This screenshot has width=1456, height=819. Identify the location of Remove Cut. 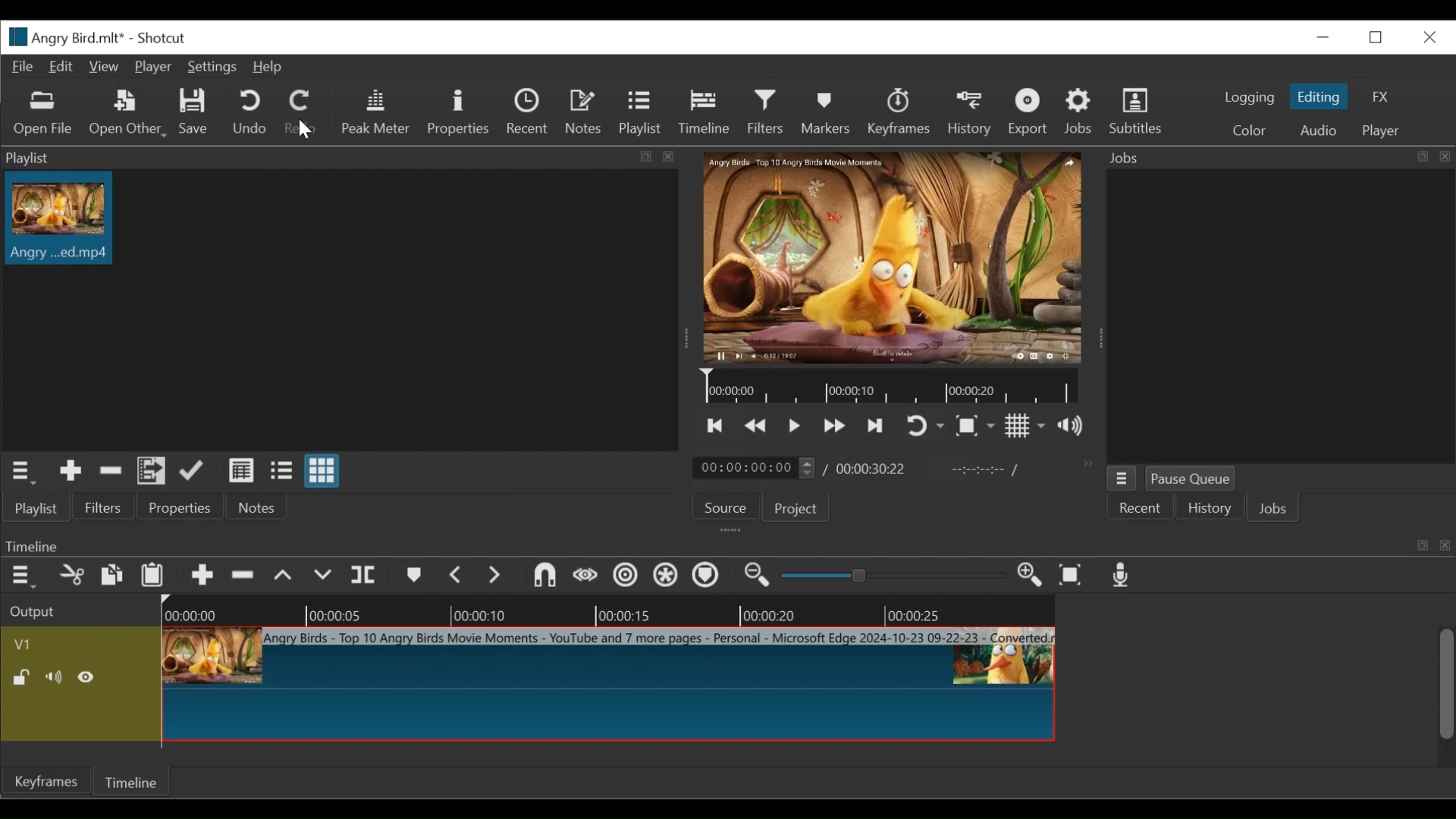
(111, 470).